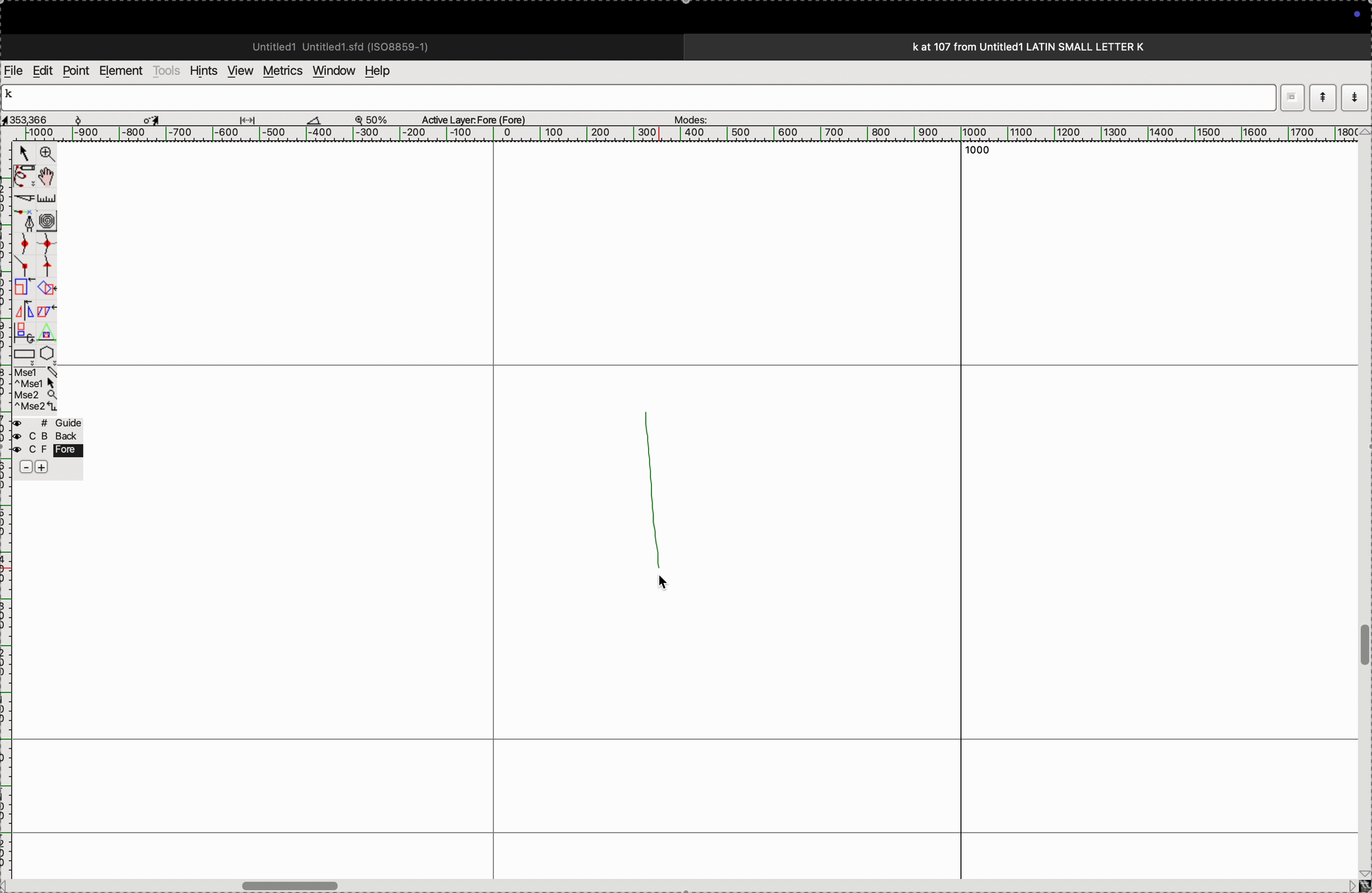 This screenshot has width=1372, height=893. Describe the element at coordinates (300, 886) in the screenshot. I see `toggle` at that location.